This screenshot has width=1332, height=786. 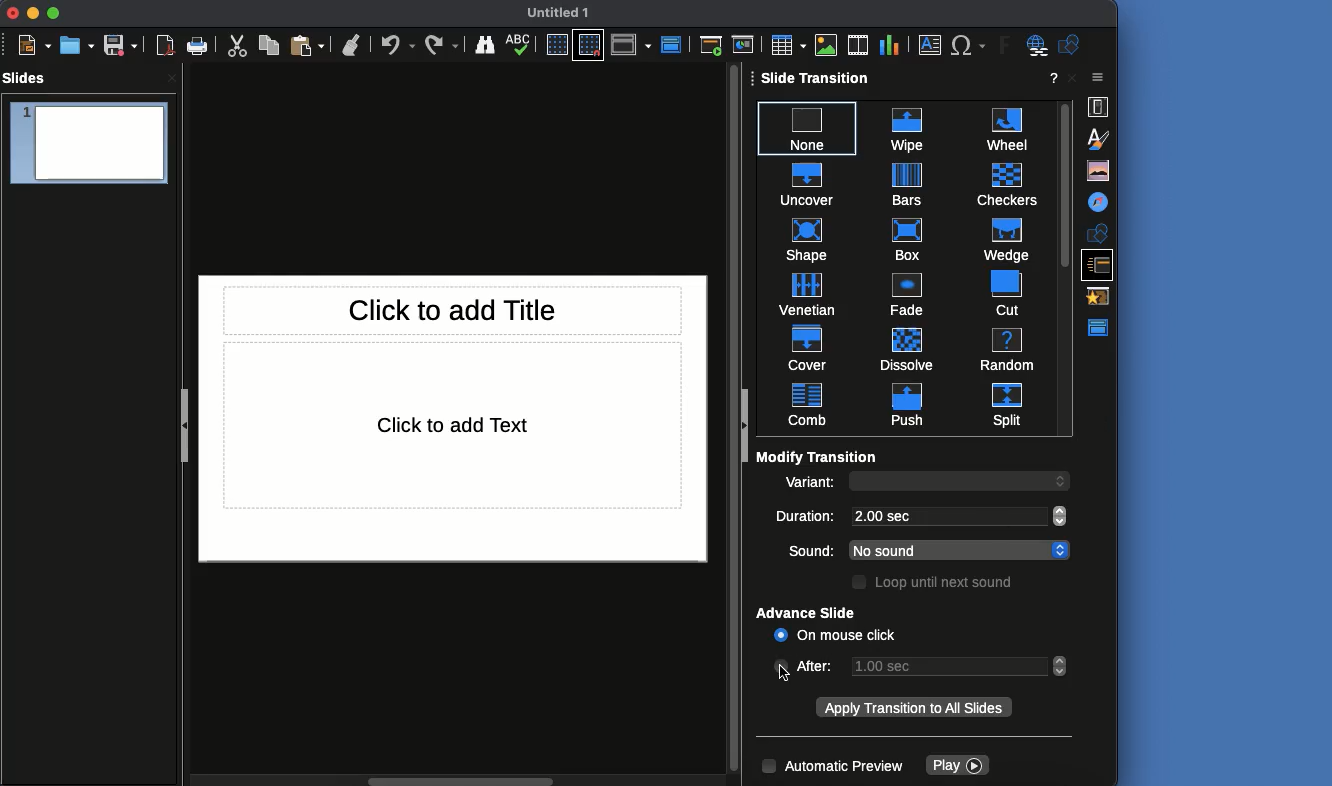 What do you see at coordinates (269, 46) in the screenshot?
I see `Copy` at bounding box center [269, 46].